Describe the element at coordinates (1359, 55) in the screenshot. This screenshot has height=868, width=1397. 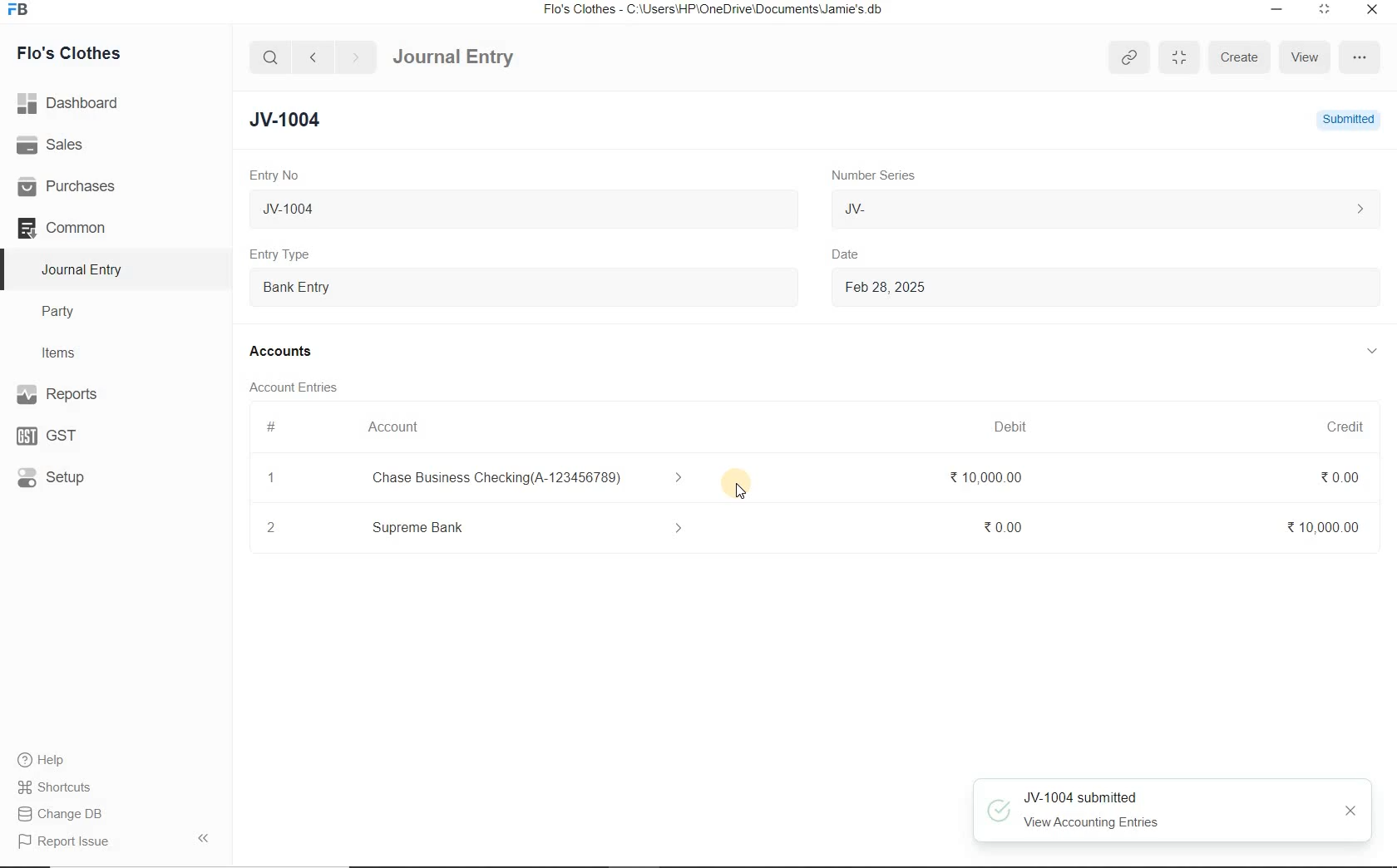
I see `more` at that location.